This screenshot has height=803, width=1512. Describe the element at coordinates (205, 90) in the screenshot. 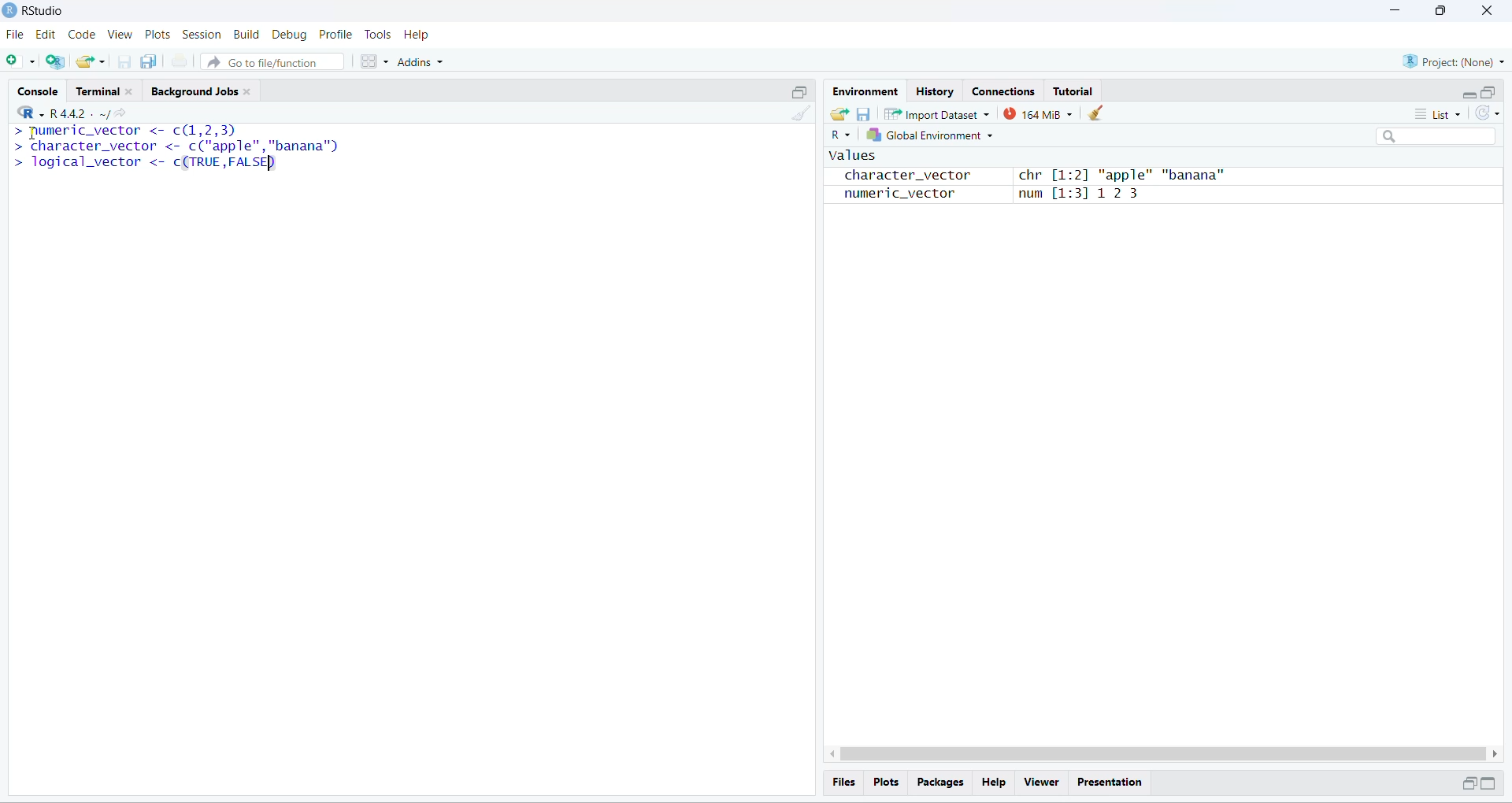

I see `Background Jobs` at that location.